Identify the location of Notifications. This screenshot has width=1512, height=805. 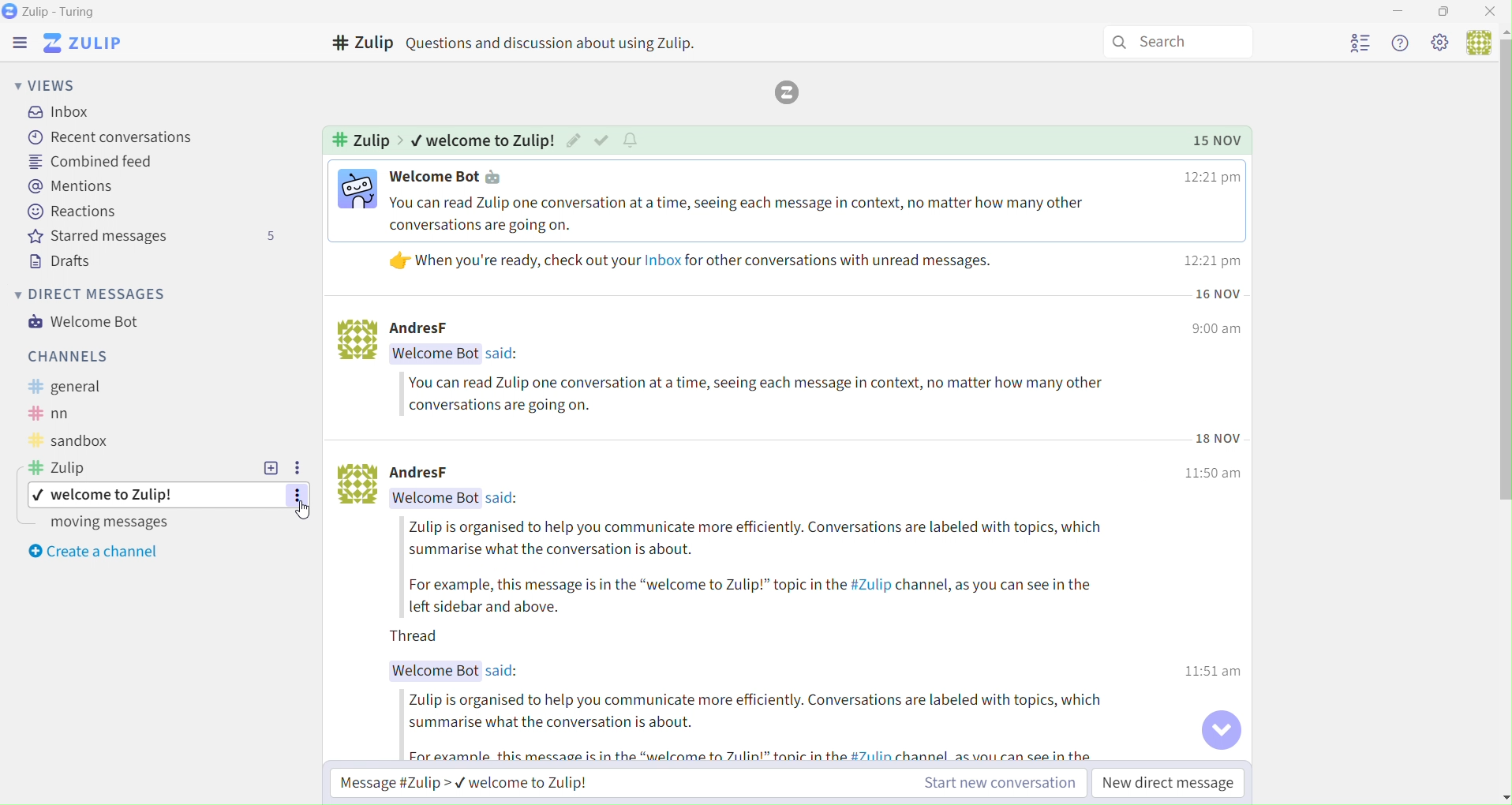
(631, 140).